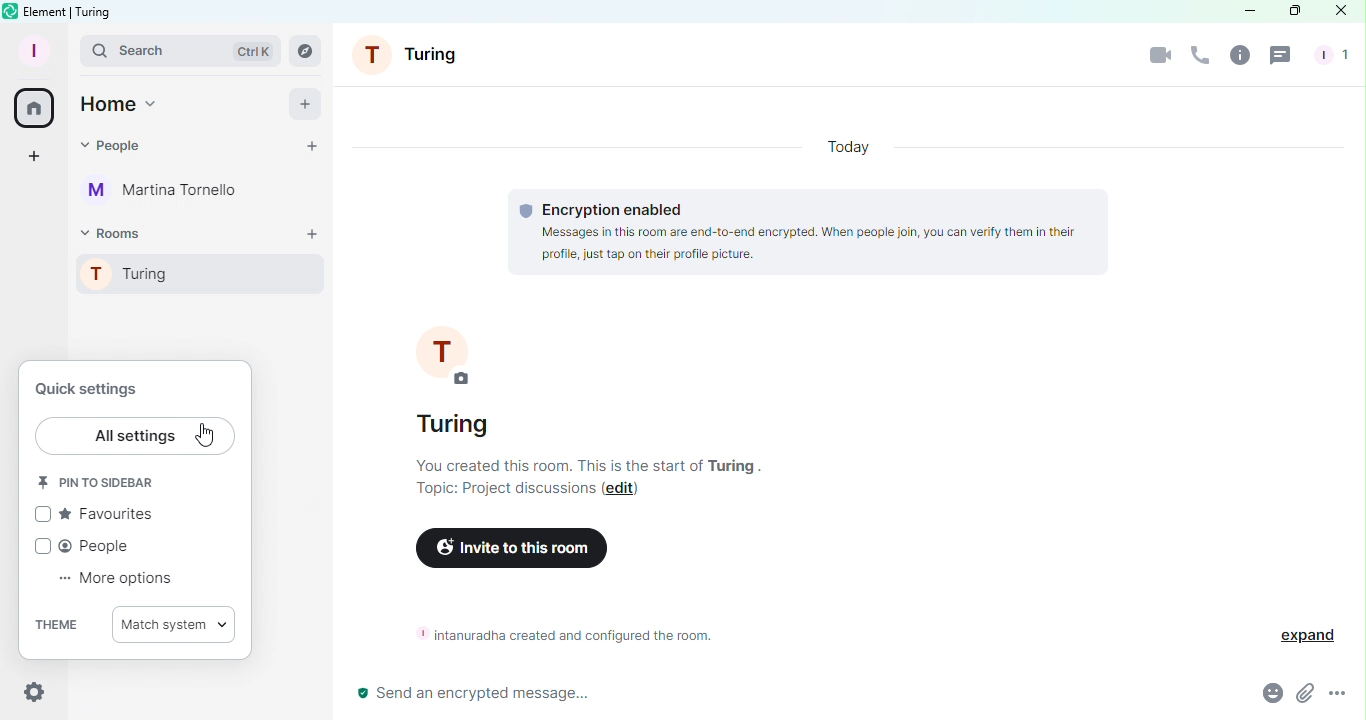  What do you see at coordinates (1199, 62) in the screenshot?
I see `Call` at bounding box center [1199, 62].